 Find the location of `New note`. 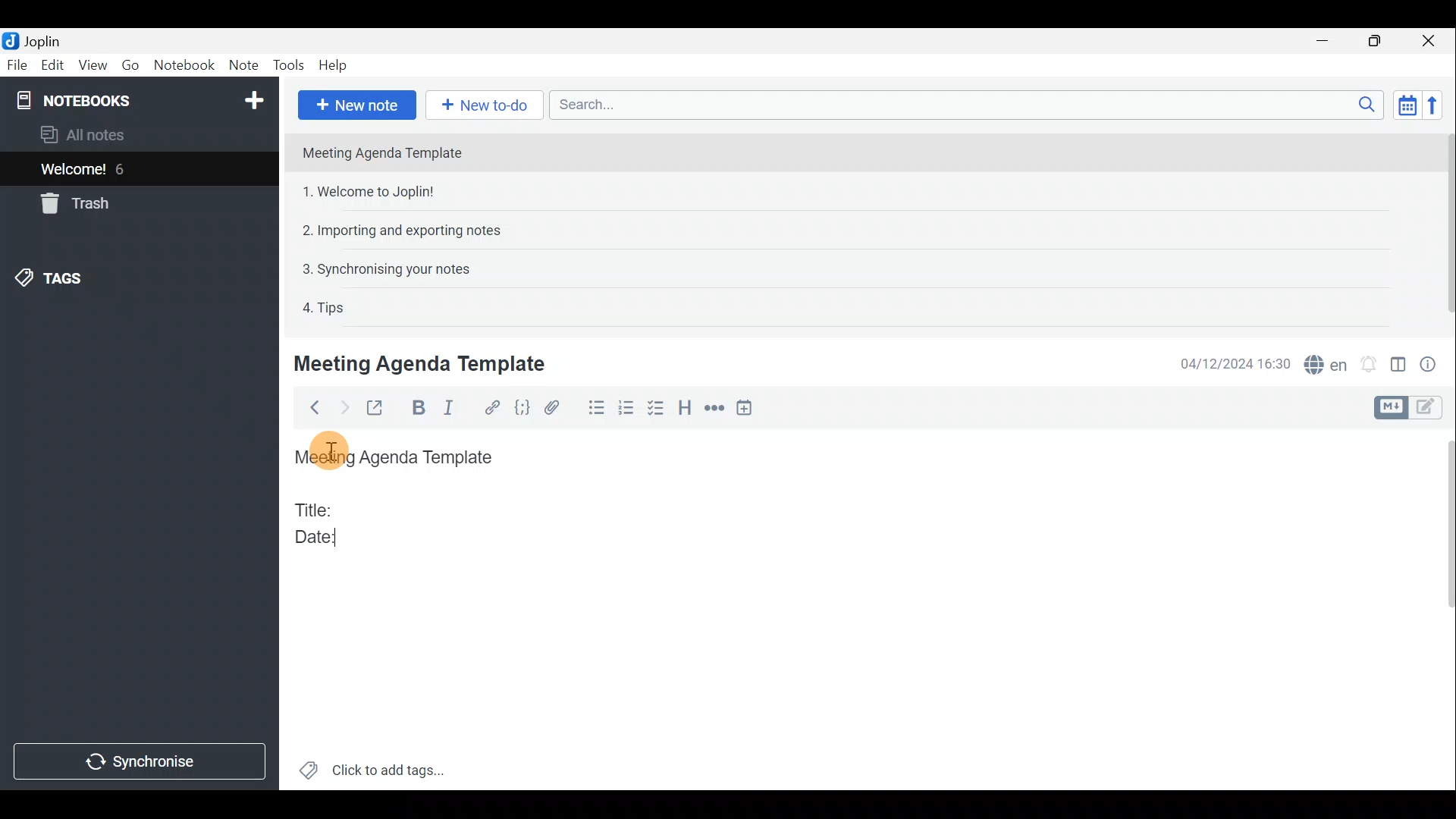

New note is located at coordinates (357, 105).